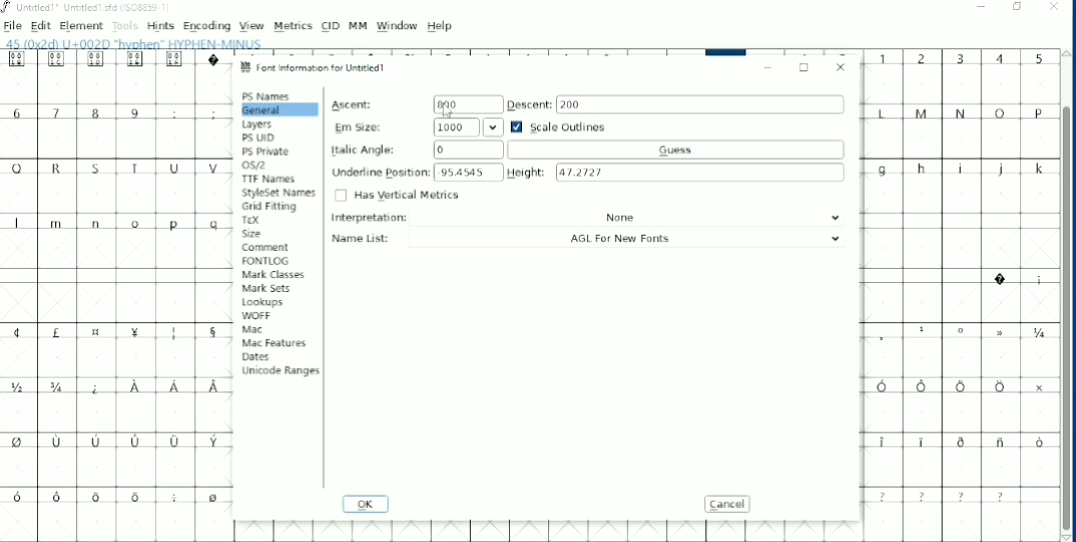  I want to click on StyleSet Names, so click(279, 193).